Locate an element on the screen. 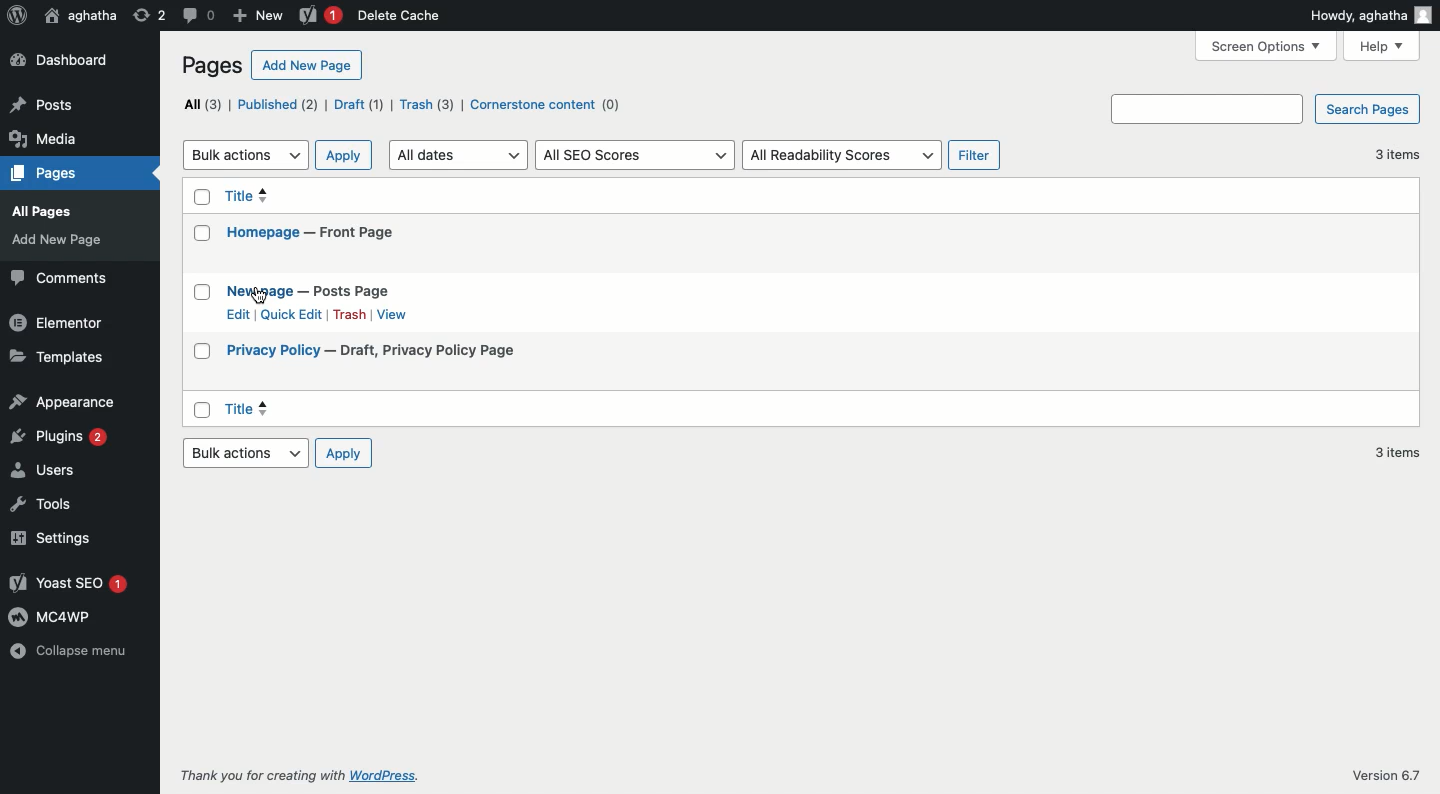  Cornerstone content is located at coordinates (542, 105).